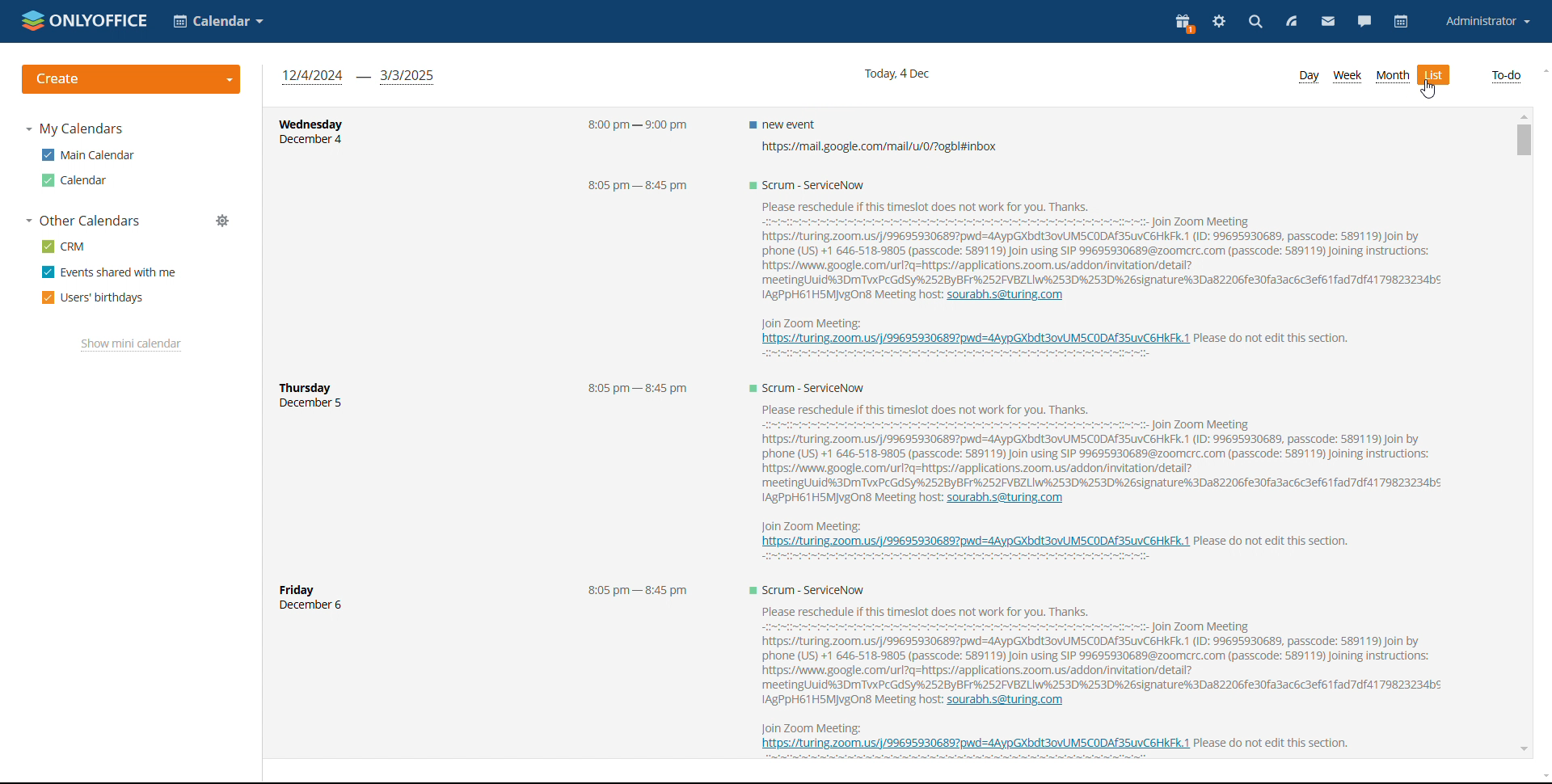  Describe the element at coordinates (220, 21) in the screenshot. I see `select application` at that location.